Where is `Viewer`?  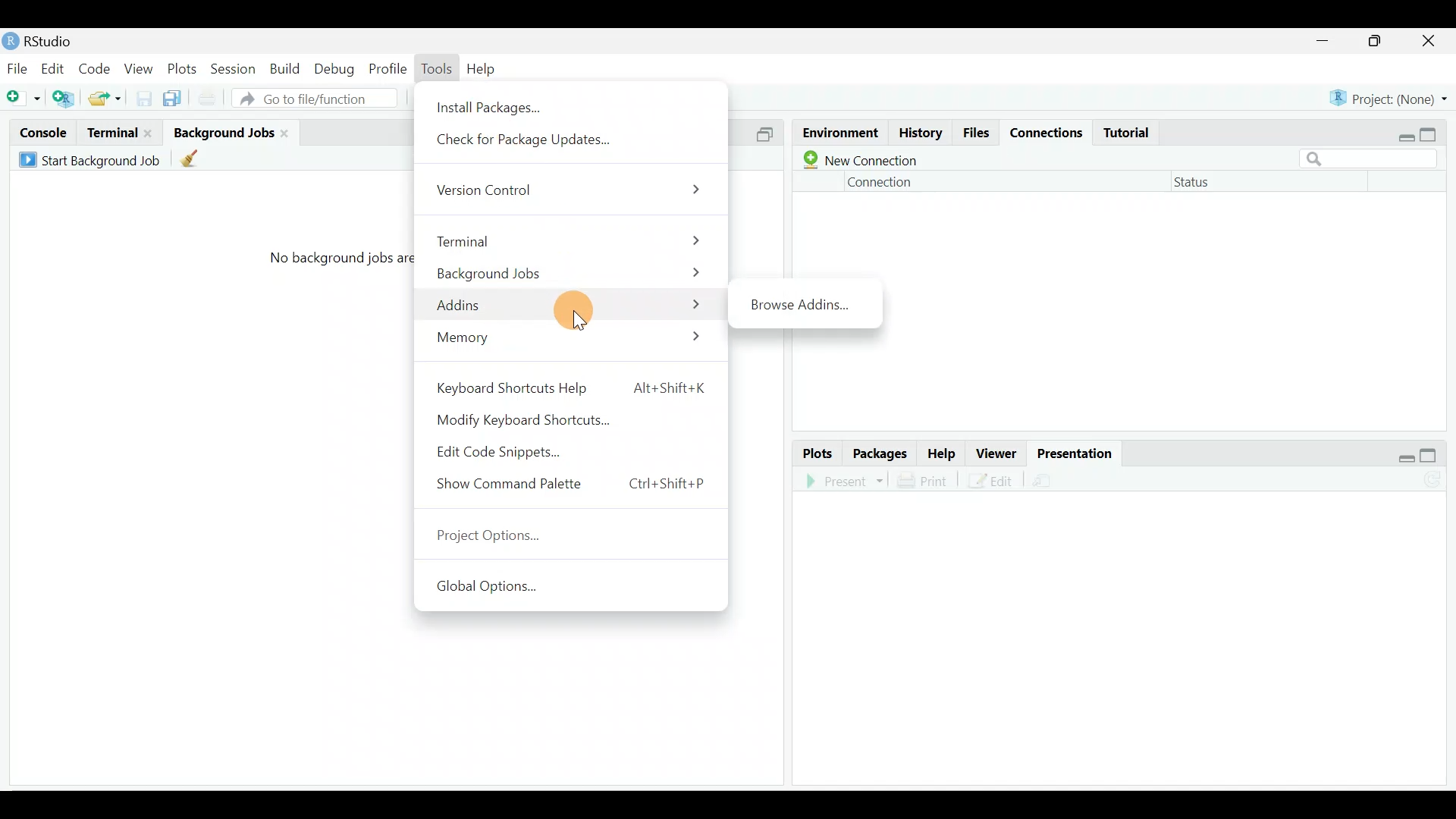
Viewer is located at coordinates (993, 449).